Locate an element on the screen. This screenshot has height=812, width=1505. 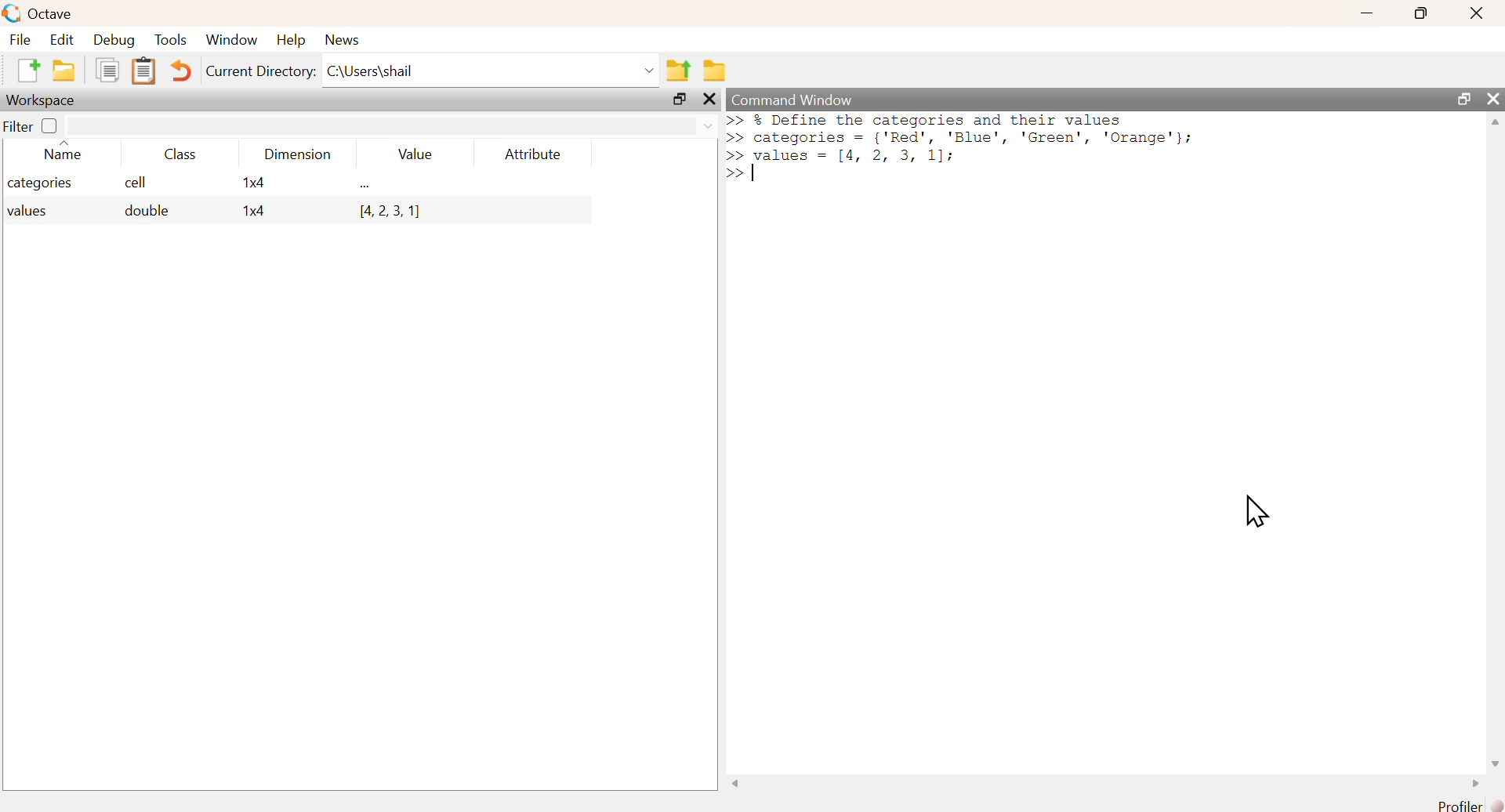
File is located at coordinates (20, 38).